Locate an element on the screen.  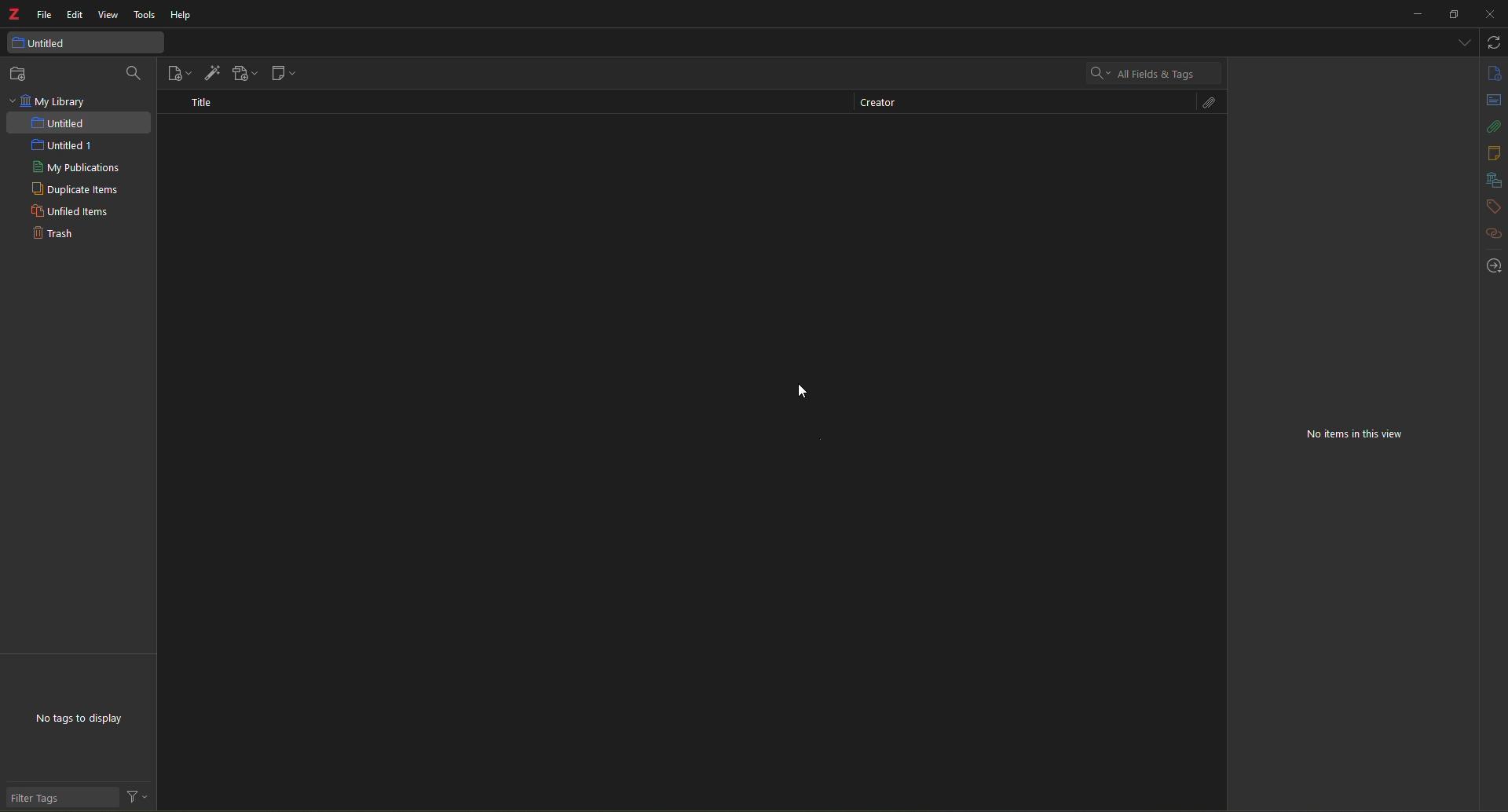
filter tags is located at coordinates (41, 798).